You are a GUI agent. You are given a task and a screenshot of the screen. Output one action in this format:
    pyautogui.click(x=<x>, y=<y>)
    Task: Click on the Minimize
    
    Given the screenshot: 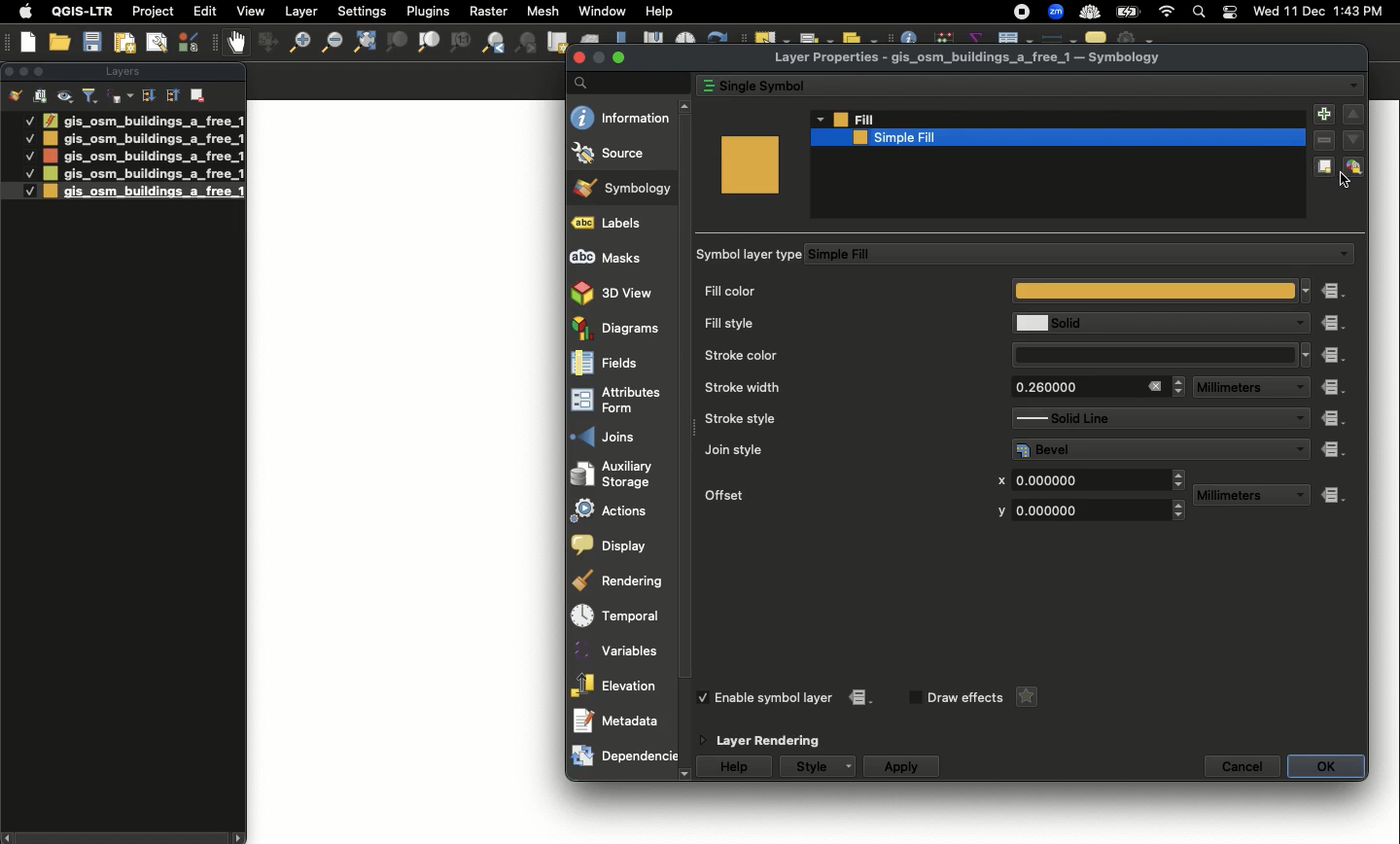 What is the action you would take?
    pyautogui.click(x=598, y=57)
    